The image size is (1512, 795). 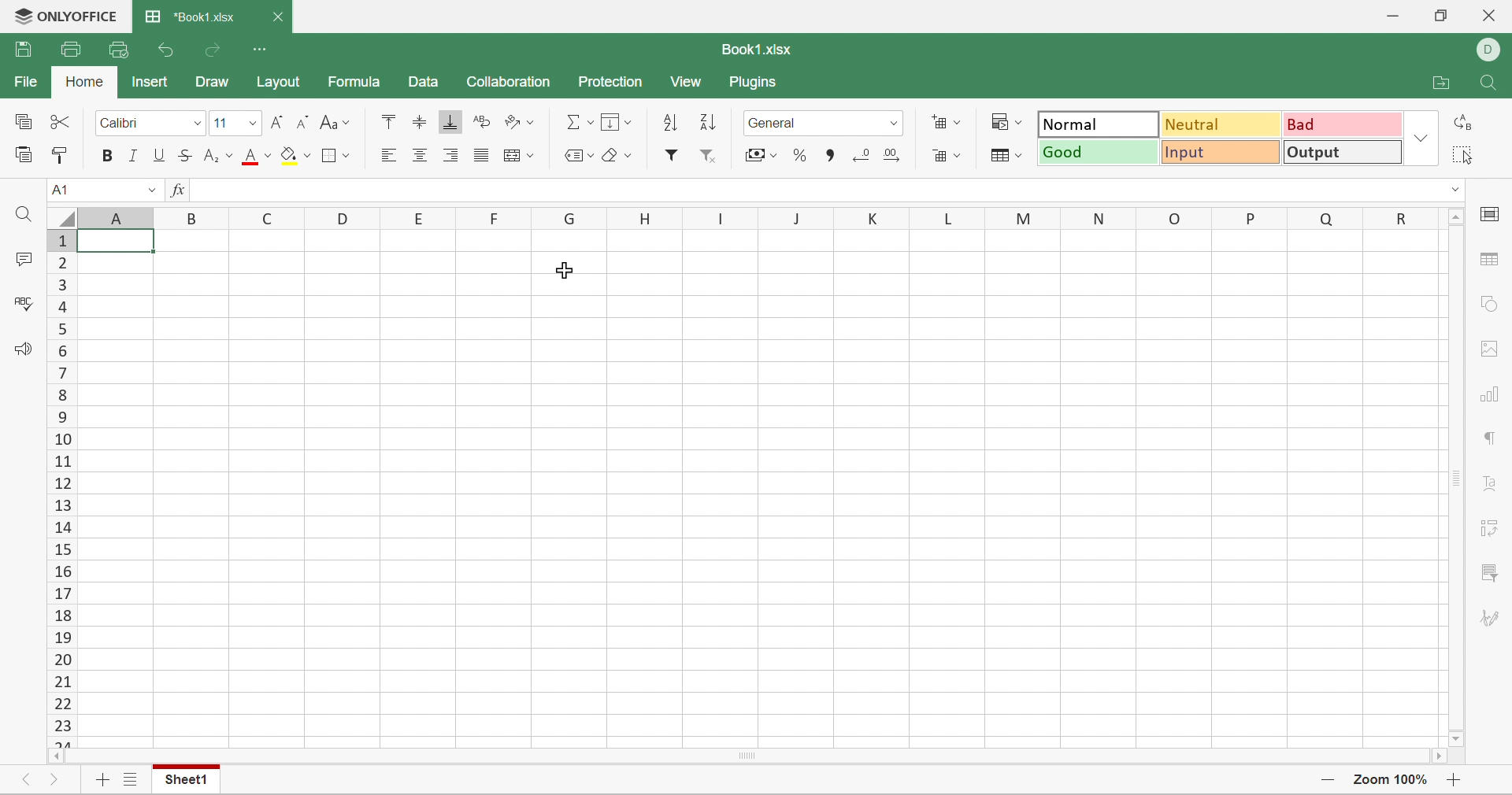 I want to click on Signature, so click(x=1488, y=618).